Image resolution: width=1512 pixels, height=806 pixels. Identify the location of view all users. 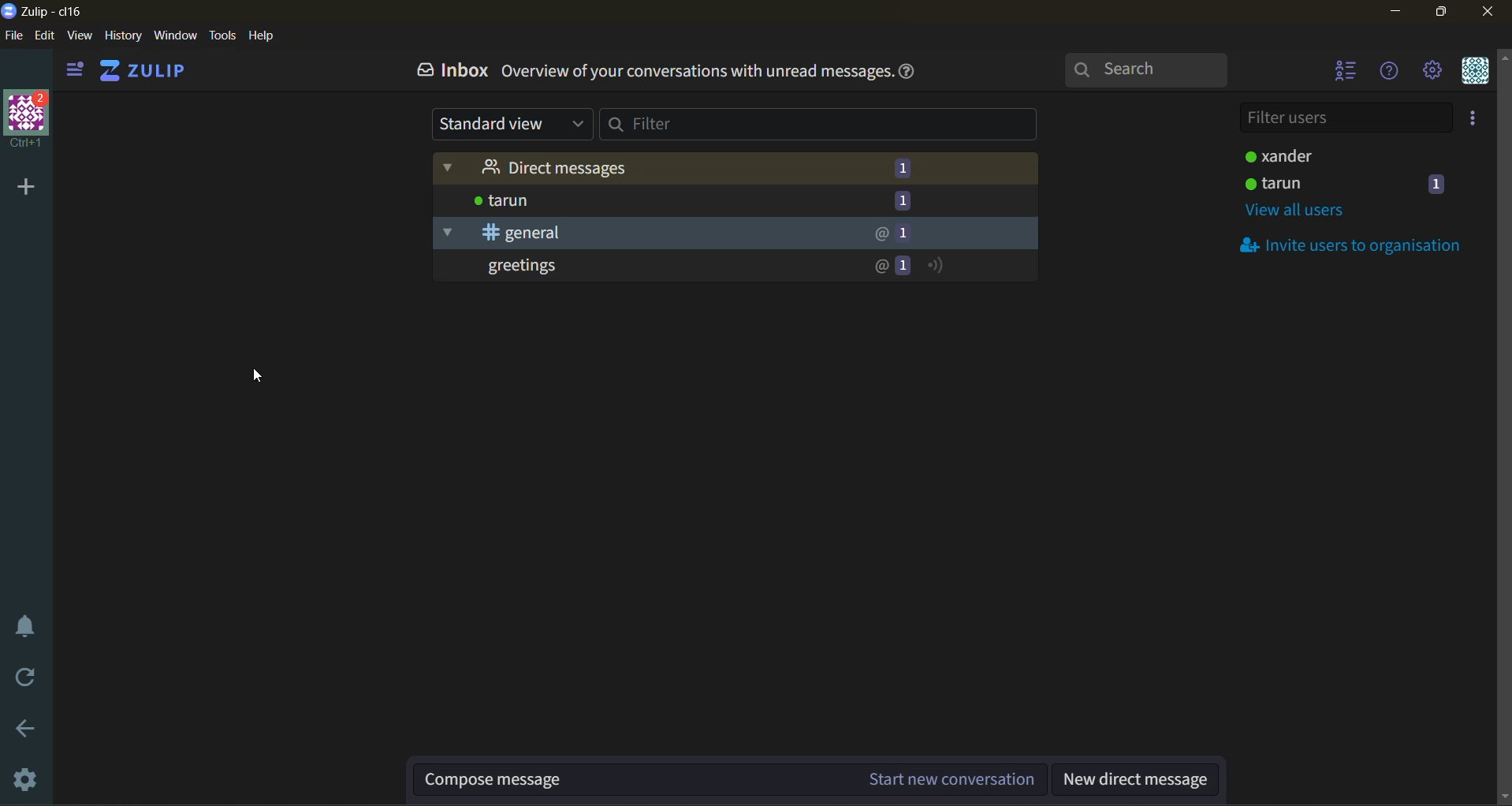
(1294, 215).